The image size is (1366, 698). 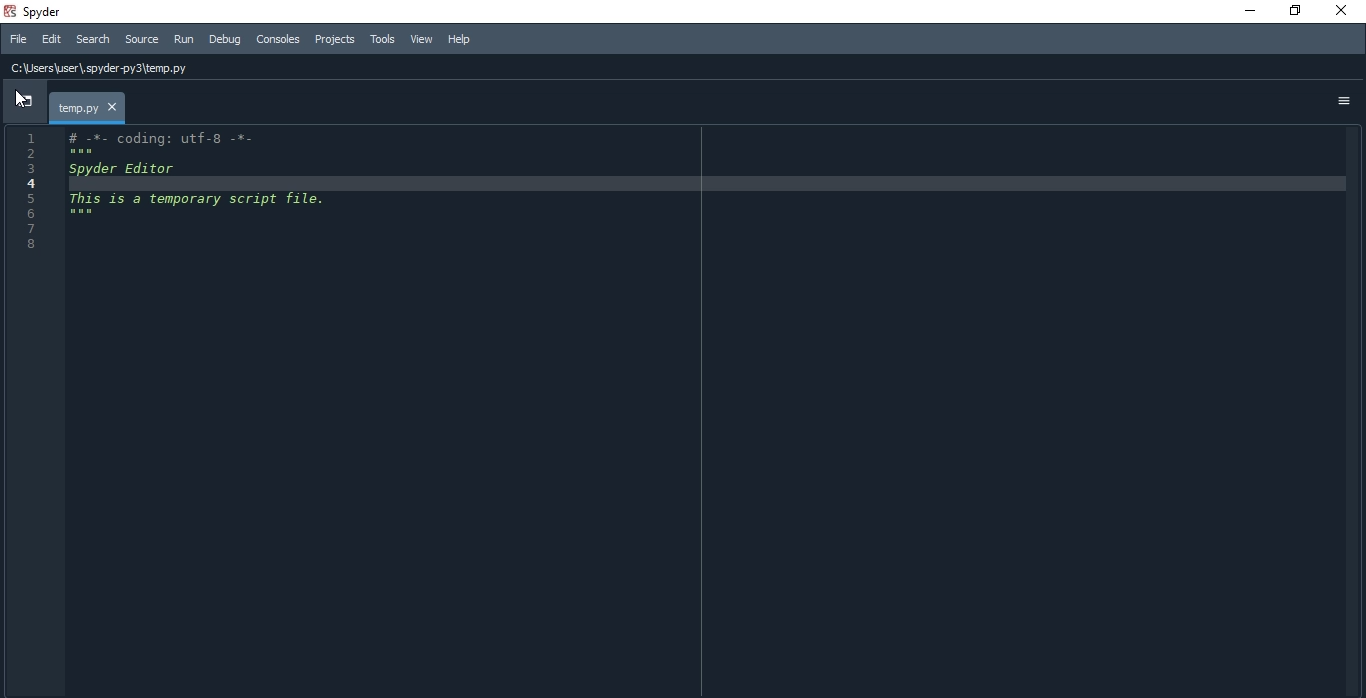 What do you see at coordinates (89, 153) in the screenshot?
I see `EE B` at bounding box center [89, 153].